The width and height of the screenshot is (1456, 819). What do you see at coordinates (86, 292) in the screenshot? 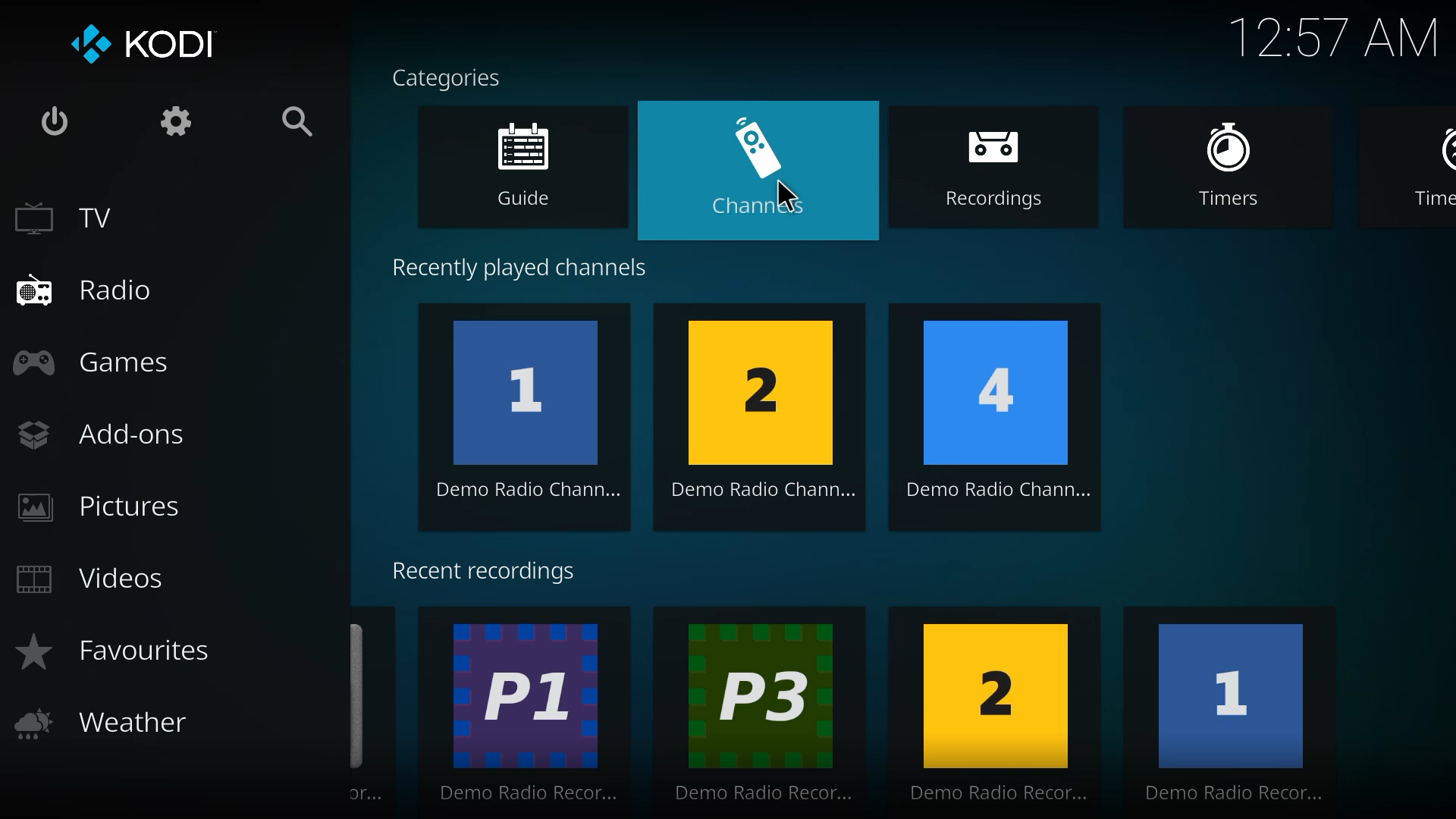
I see `radio` at bounding box center [86, 292].